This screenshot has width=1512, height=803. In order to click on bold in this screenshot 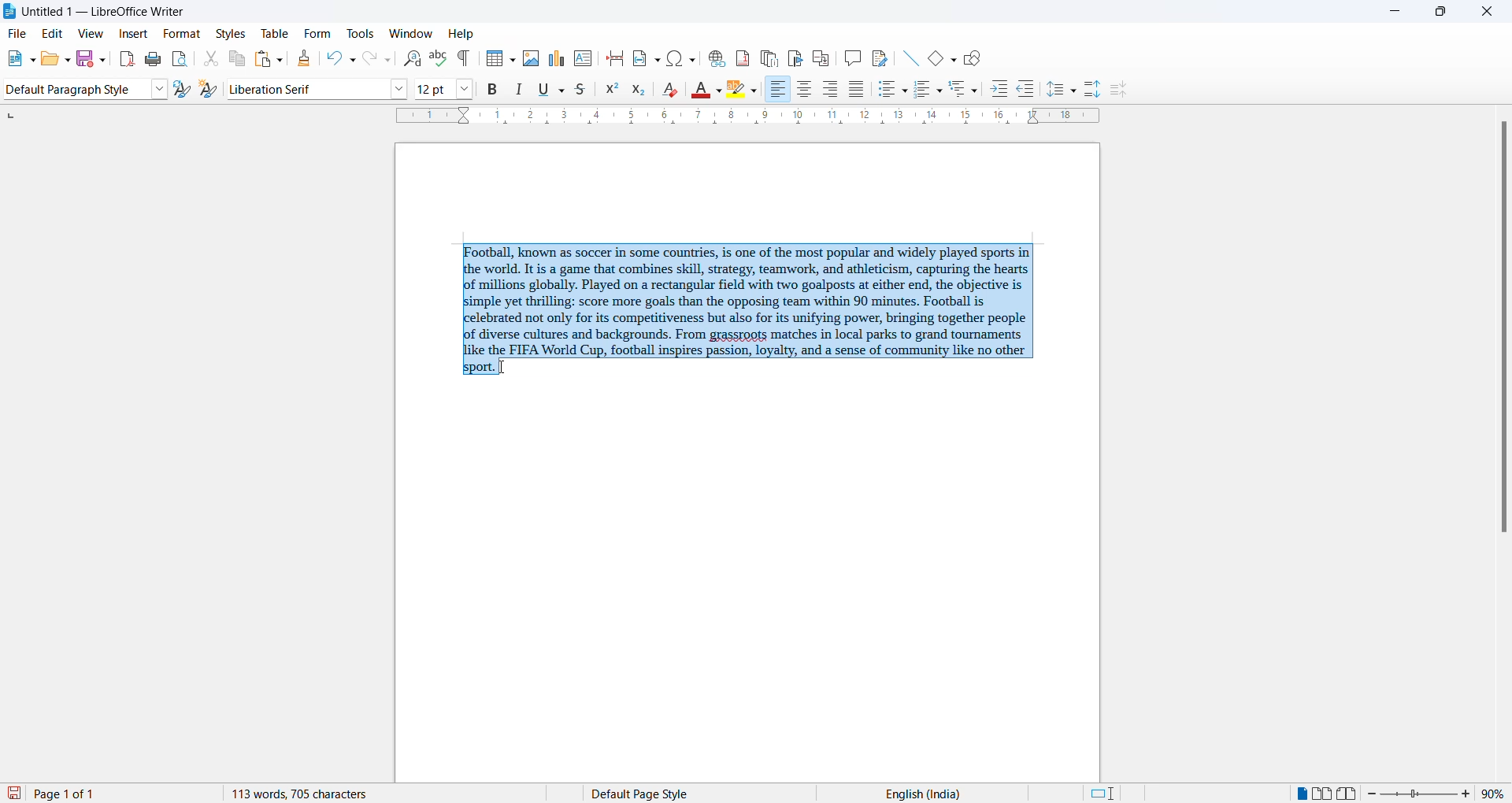, I will do `click(494, 89)`.